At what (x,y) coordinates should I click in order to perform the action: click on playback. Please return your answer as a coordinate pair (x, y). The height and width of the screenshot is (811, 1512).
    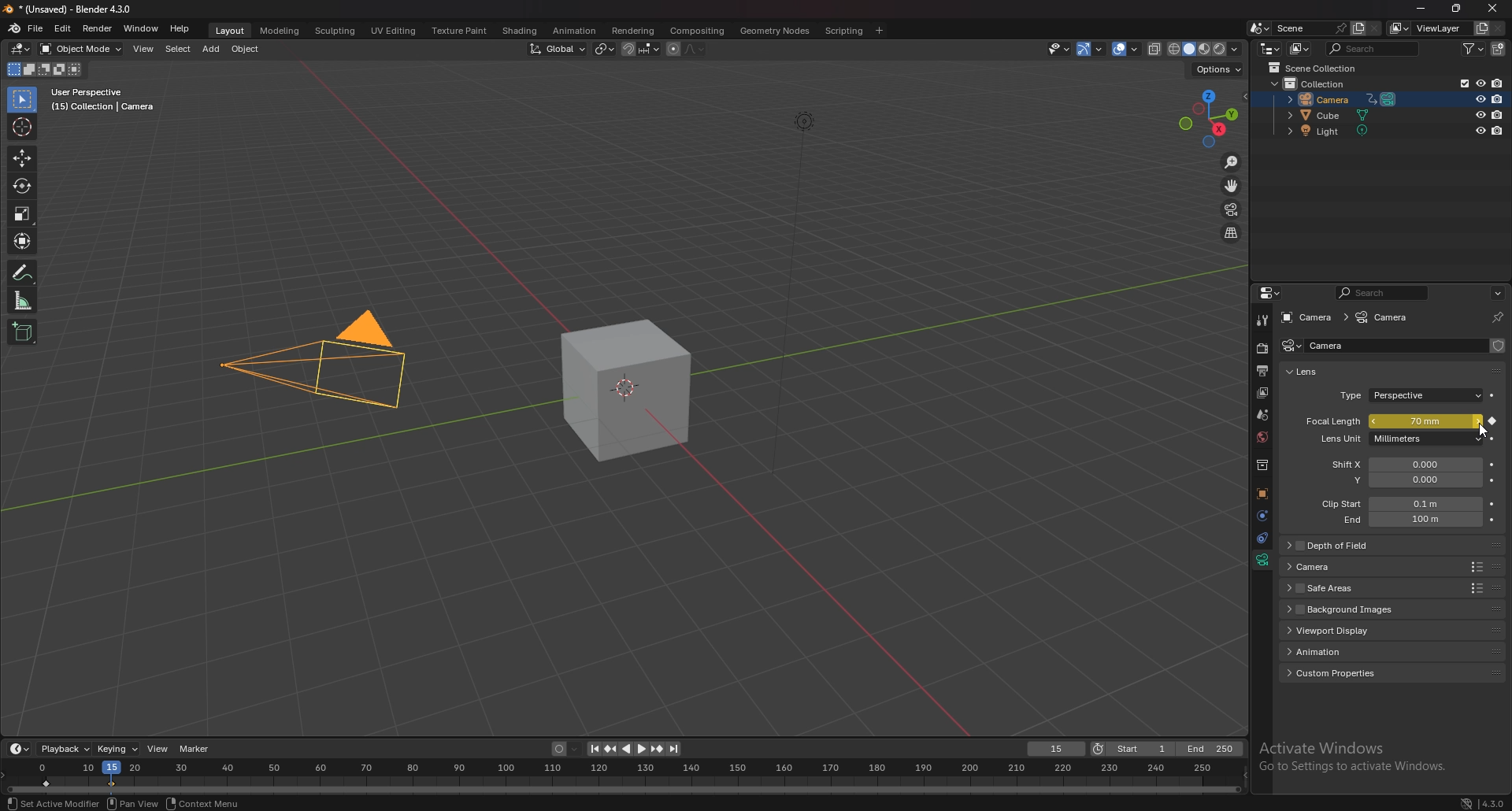
    Looking at the image, I should click on (64, 749).